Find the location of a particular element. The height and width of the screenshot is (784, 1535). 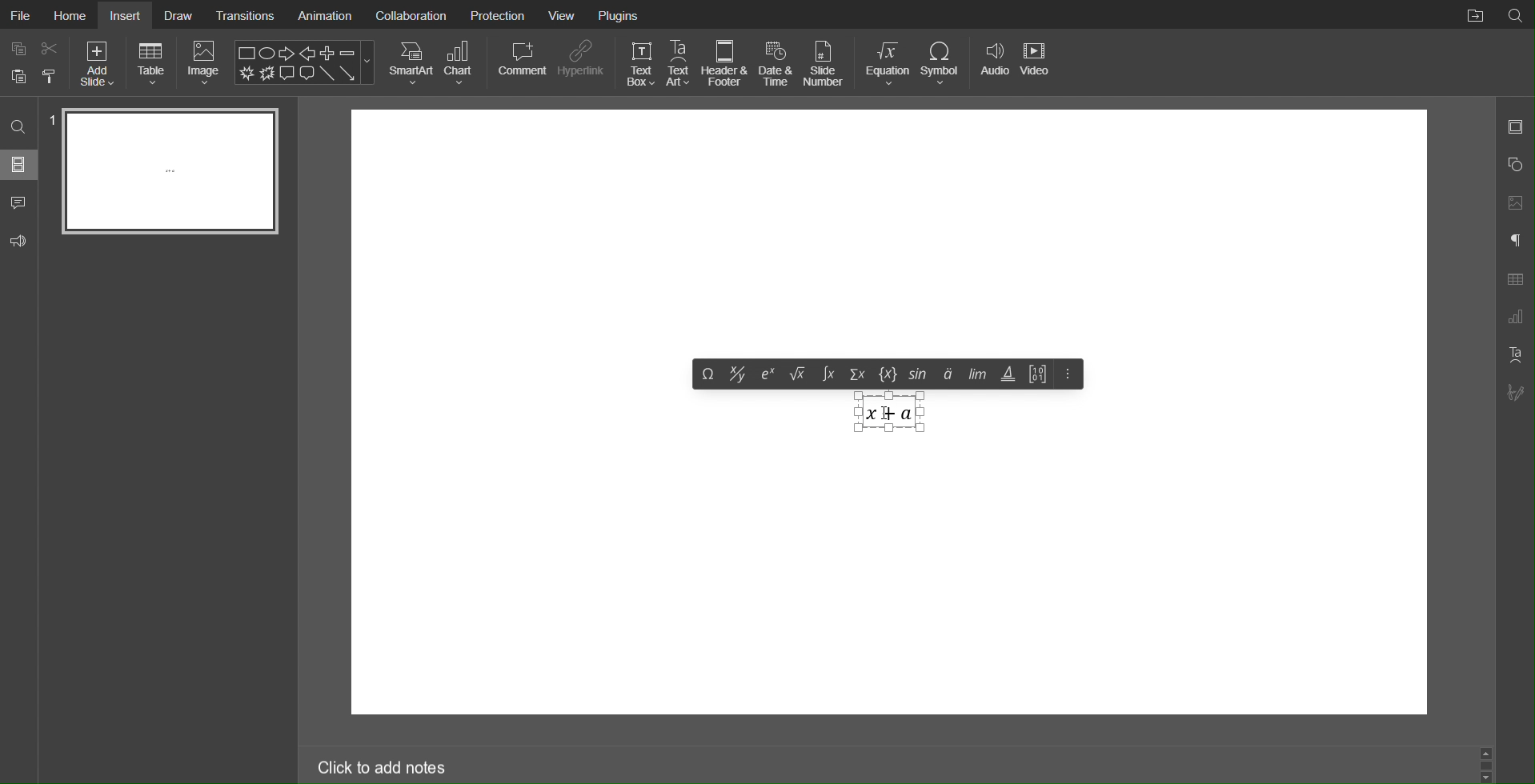

Sin is located at coordinates (920, 374).